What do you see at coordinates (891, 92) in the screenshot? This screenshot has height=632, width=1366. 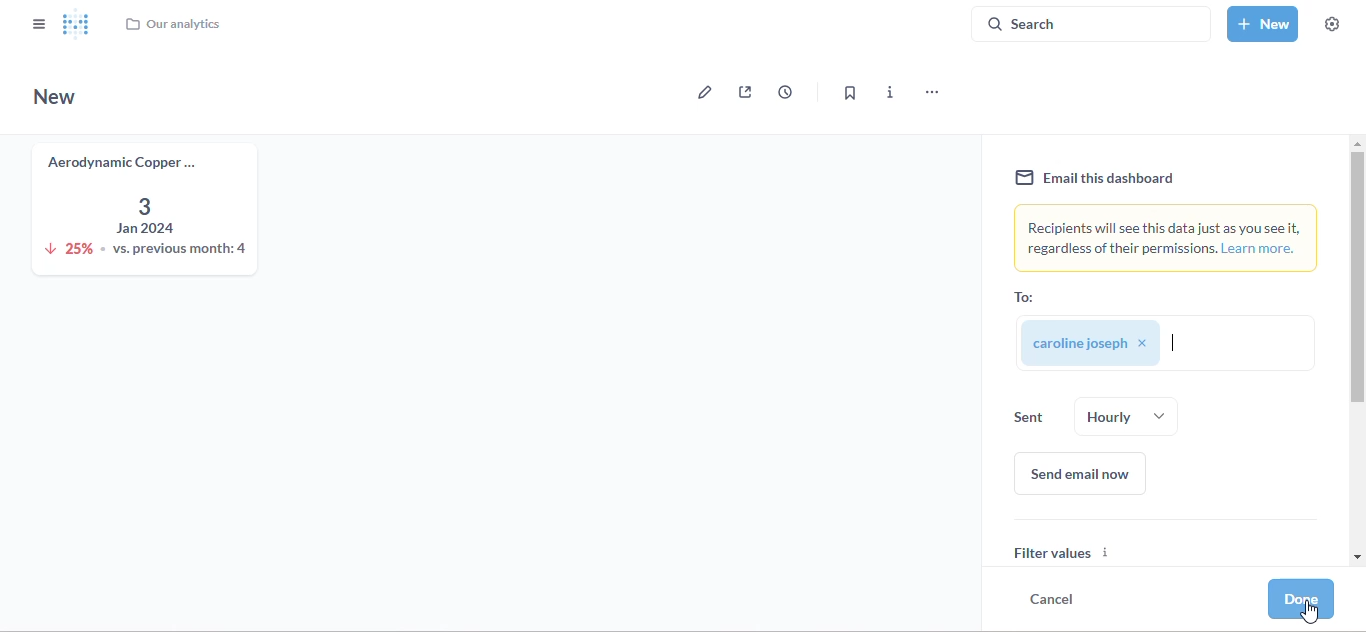 I see `more info` at bounding box center [891, 92].